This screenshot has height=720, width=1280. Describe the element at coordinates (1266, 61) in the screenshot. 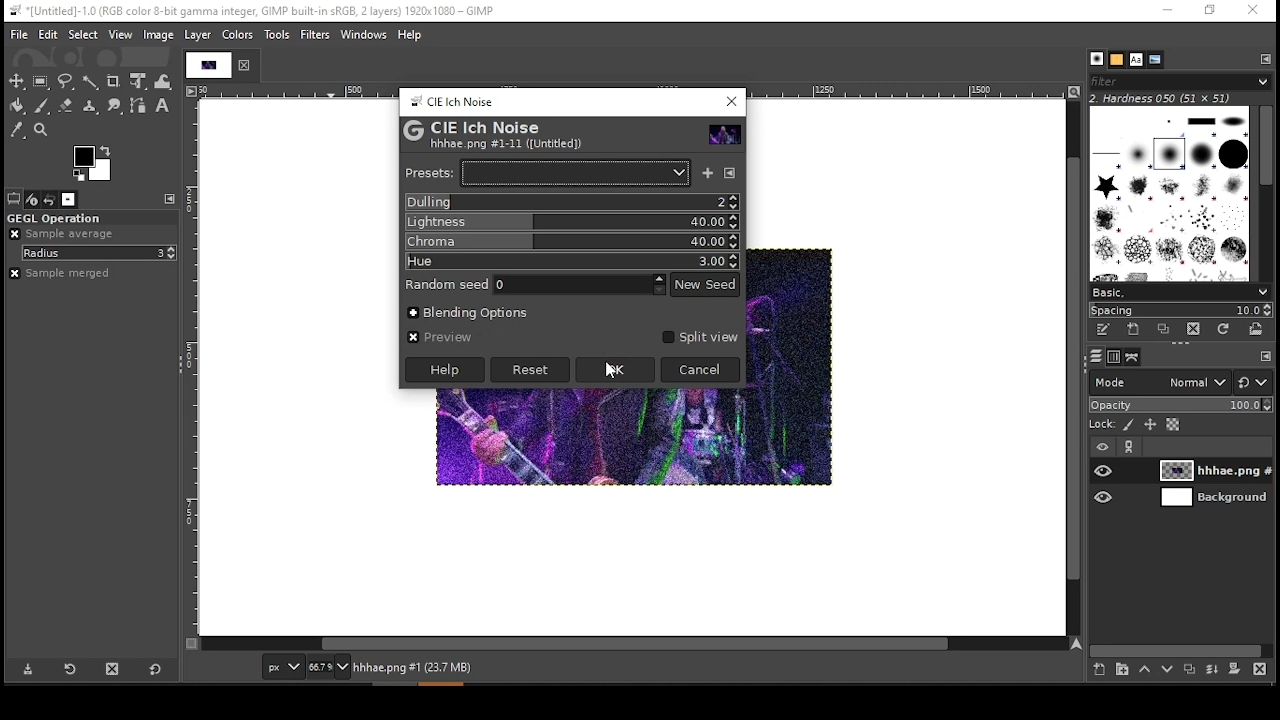

I see `configure this tab` at that location.